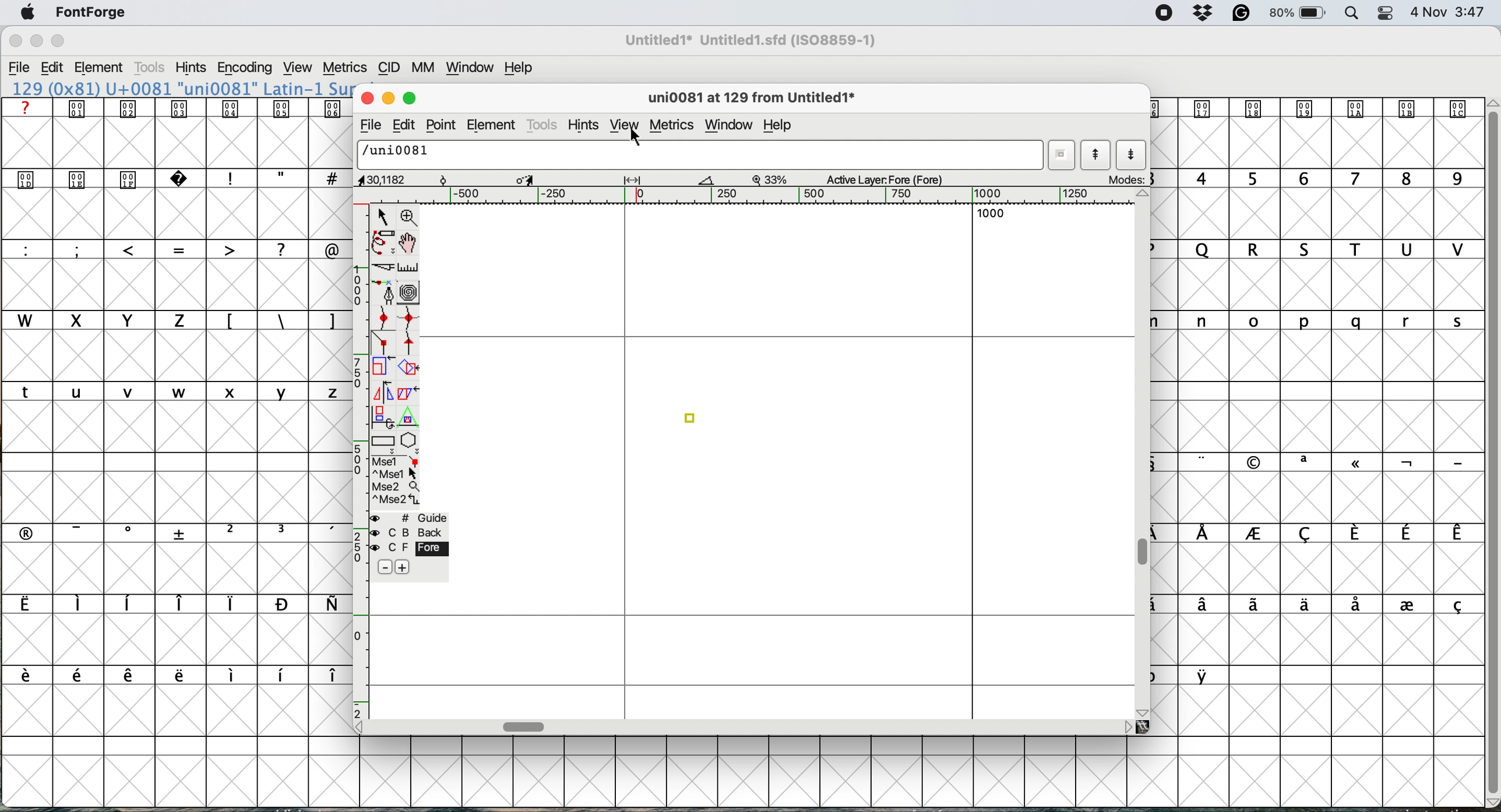 The image size is (1501, 812). I want to click on change whether spiro is active or not, so click(409, 291).